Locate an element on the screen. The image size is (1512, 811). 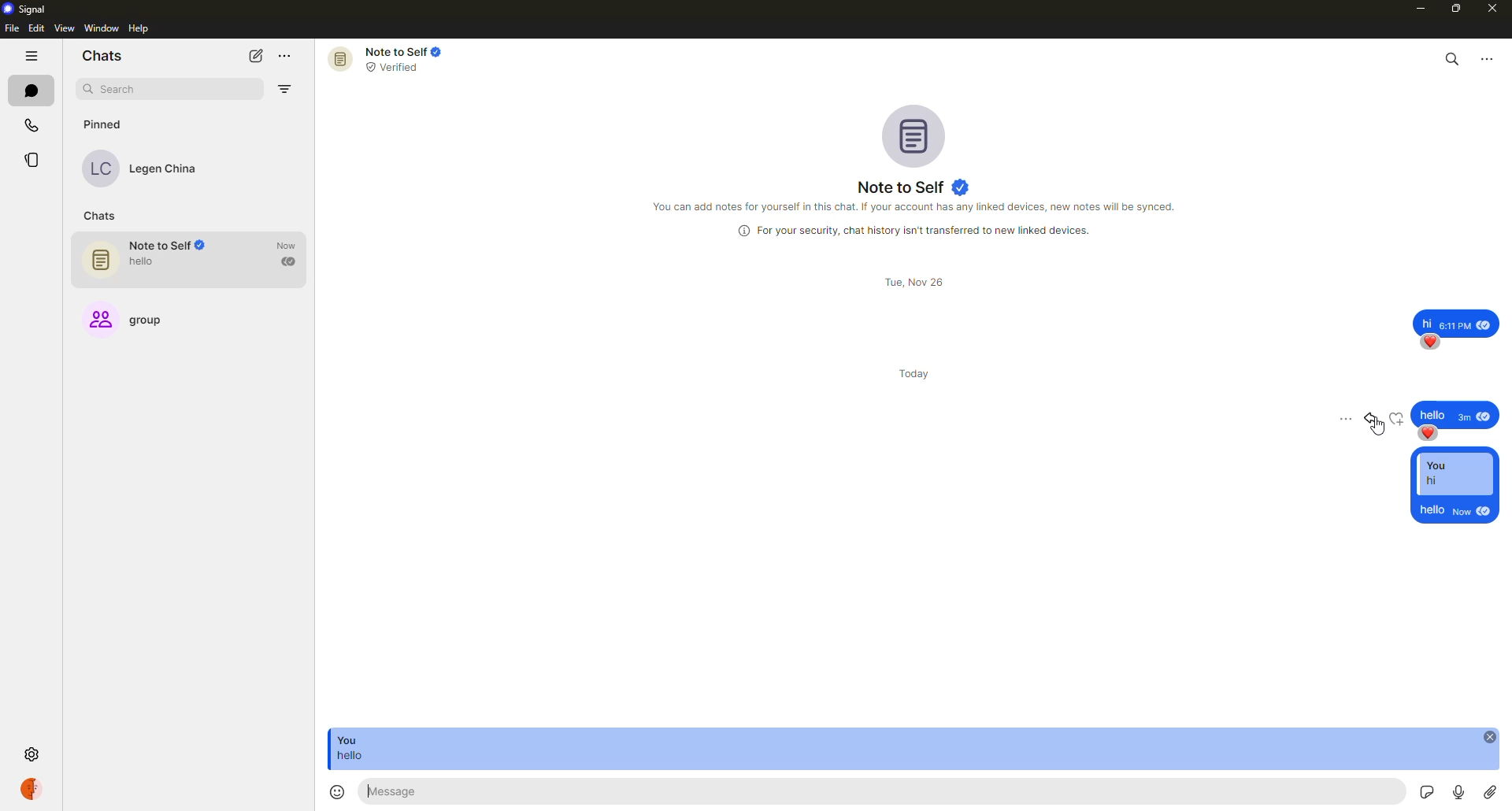
record is located at coordinates (1454, 791).